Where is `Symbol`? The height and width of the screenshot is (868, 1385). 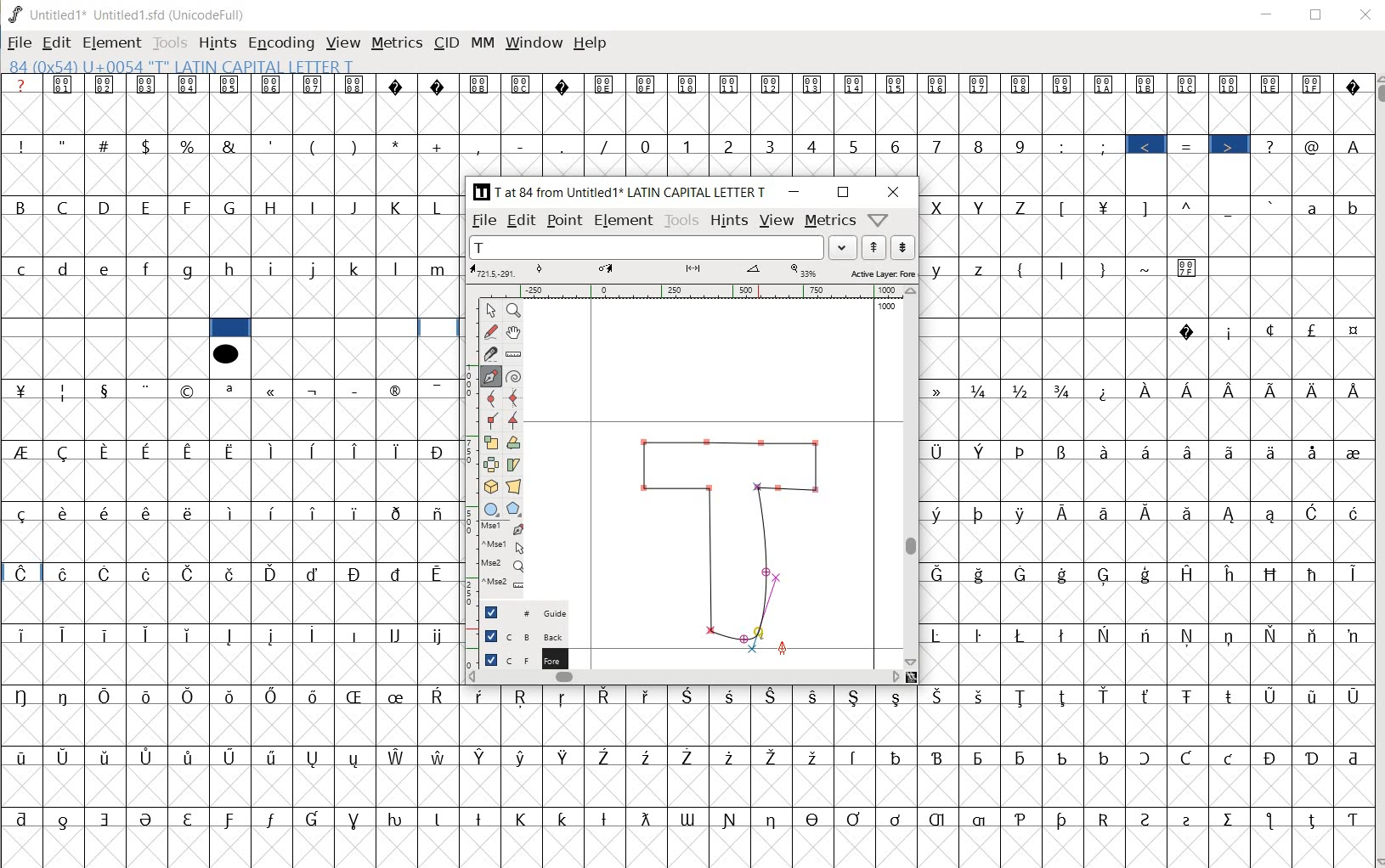 Symbol is located at coordinates (314, 451).